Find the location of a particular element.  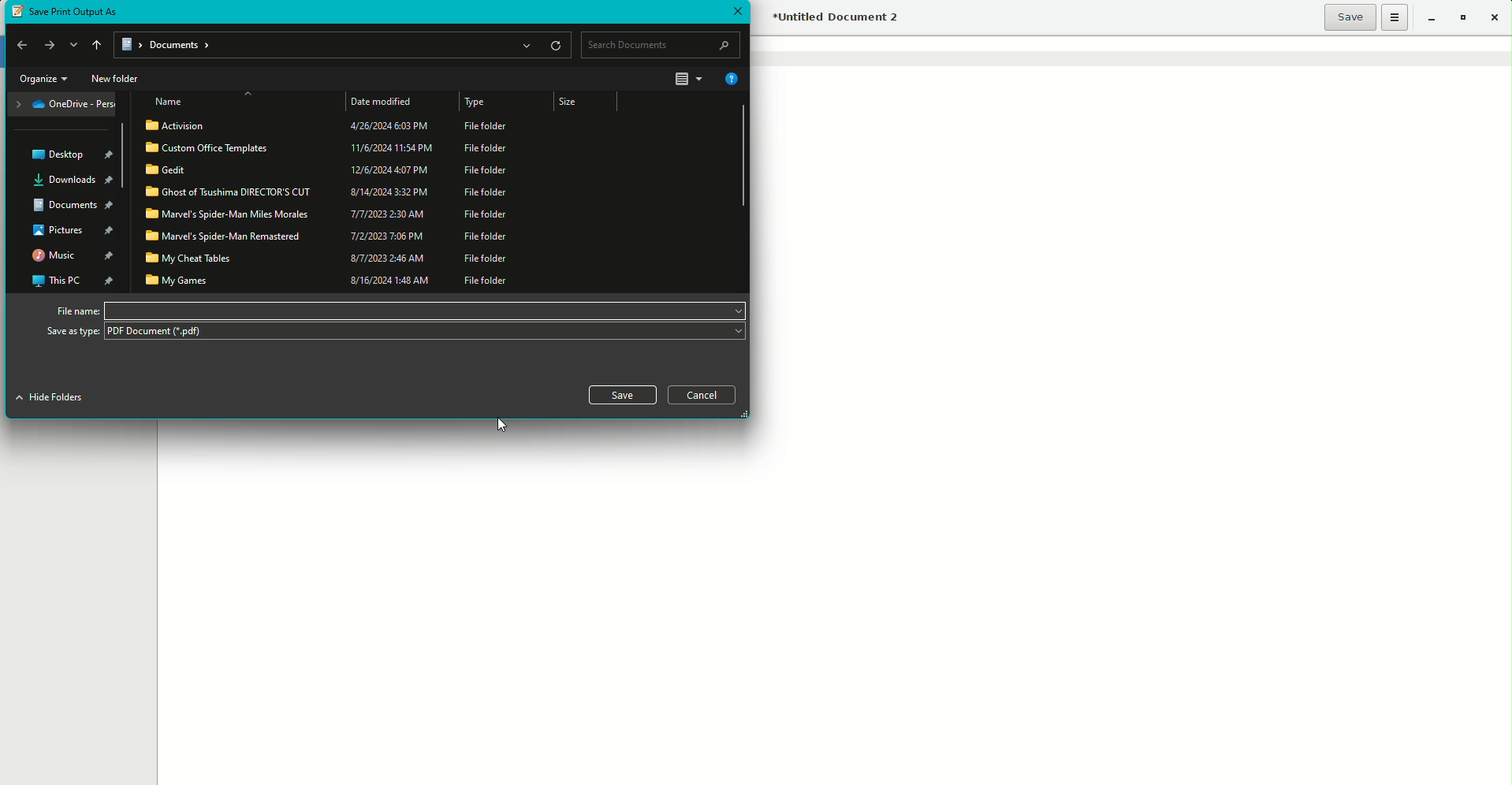

Move up is located at coordinates (95, 45).